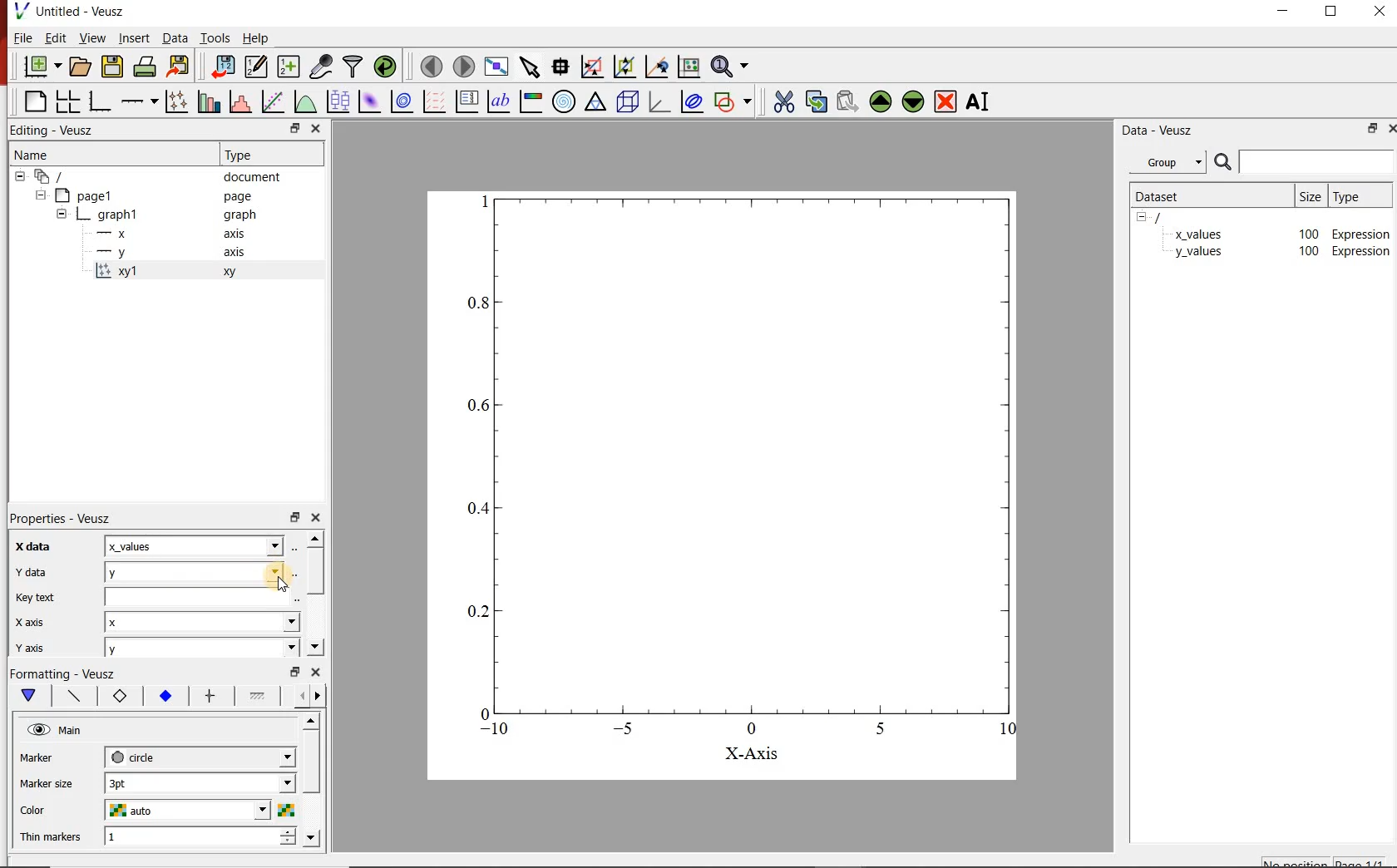  Describe the element at coordinates (1282, 13) in the screenshot. I see `minimize` at that location.